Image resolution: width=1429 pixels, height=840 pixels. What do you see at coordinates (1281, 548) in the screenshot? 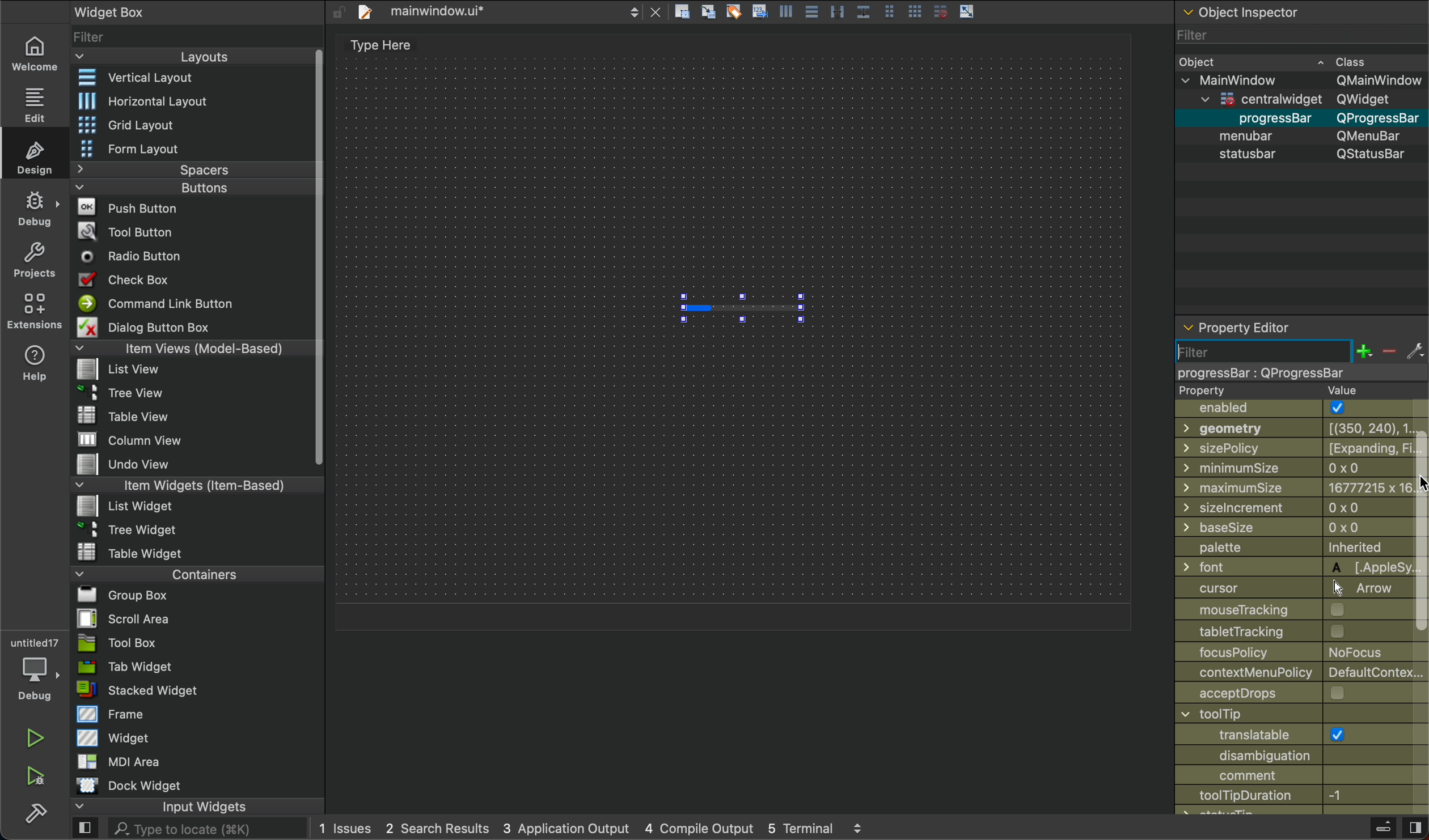
I see `palette` at bounding box center [1281, 548].